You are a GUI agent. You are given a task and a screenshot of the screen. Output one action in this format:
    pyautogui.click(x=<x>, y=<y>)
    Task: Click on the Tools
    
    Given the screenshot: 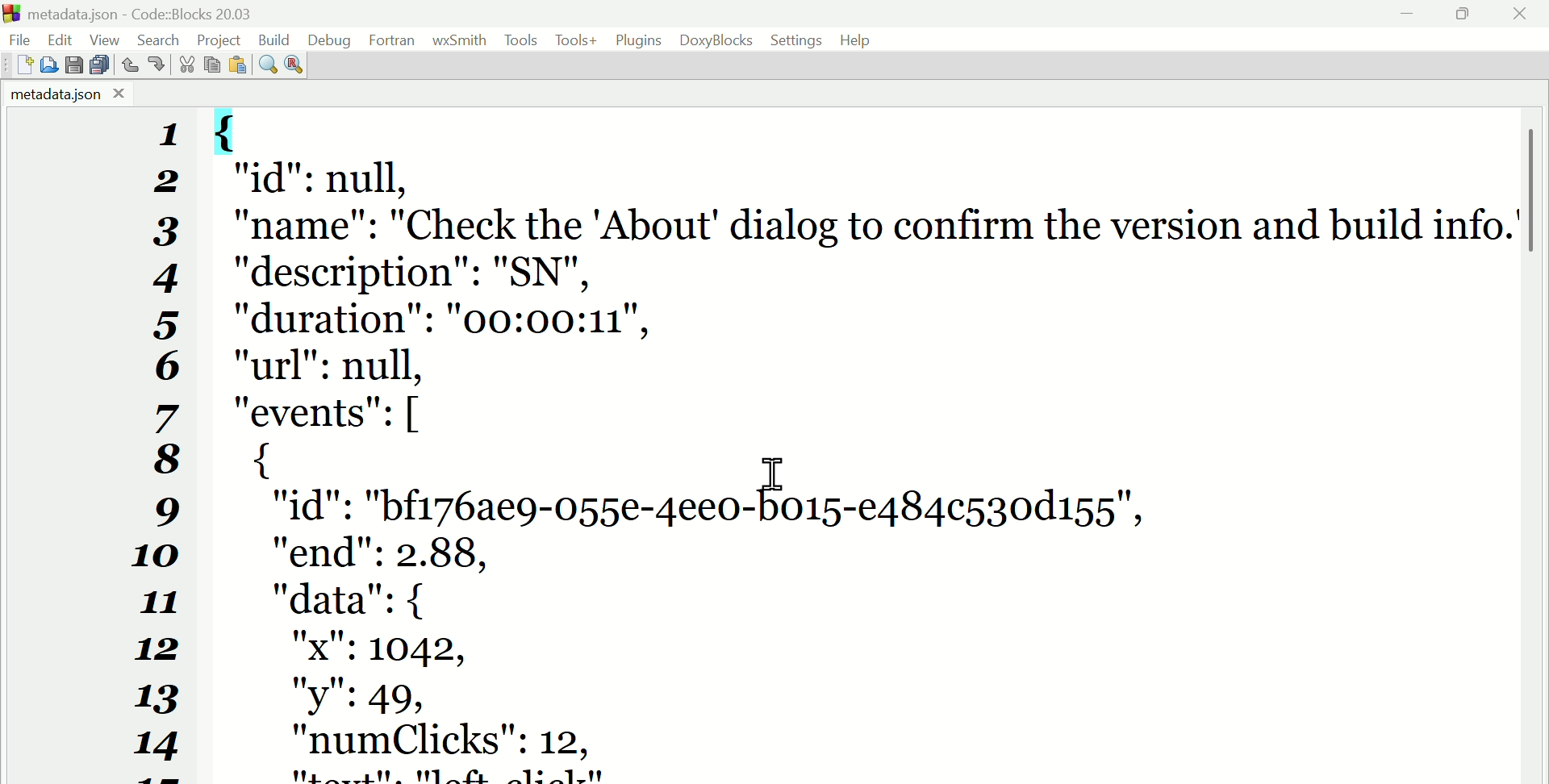 What is the action you would take?
    pyautogui.click(x=575, y=42)
    